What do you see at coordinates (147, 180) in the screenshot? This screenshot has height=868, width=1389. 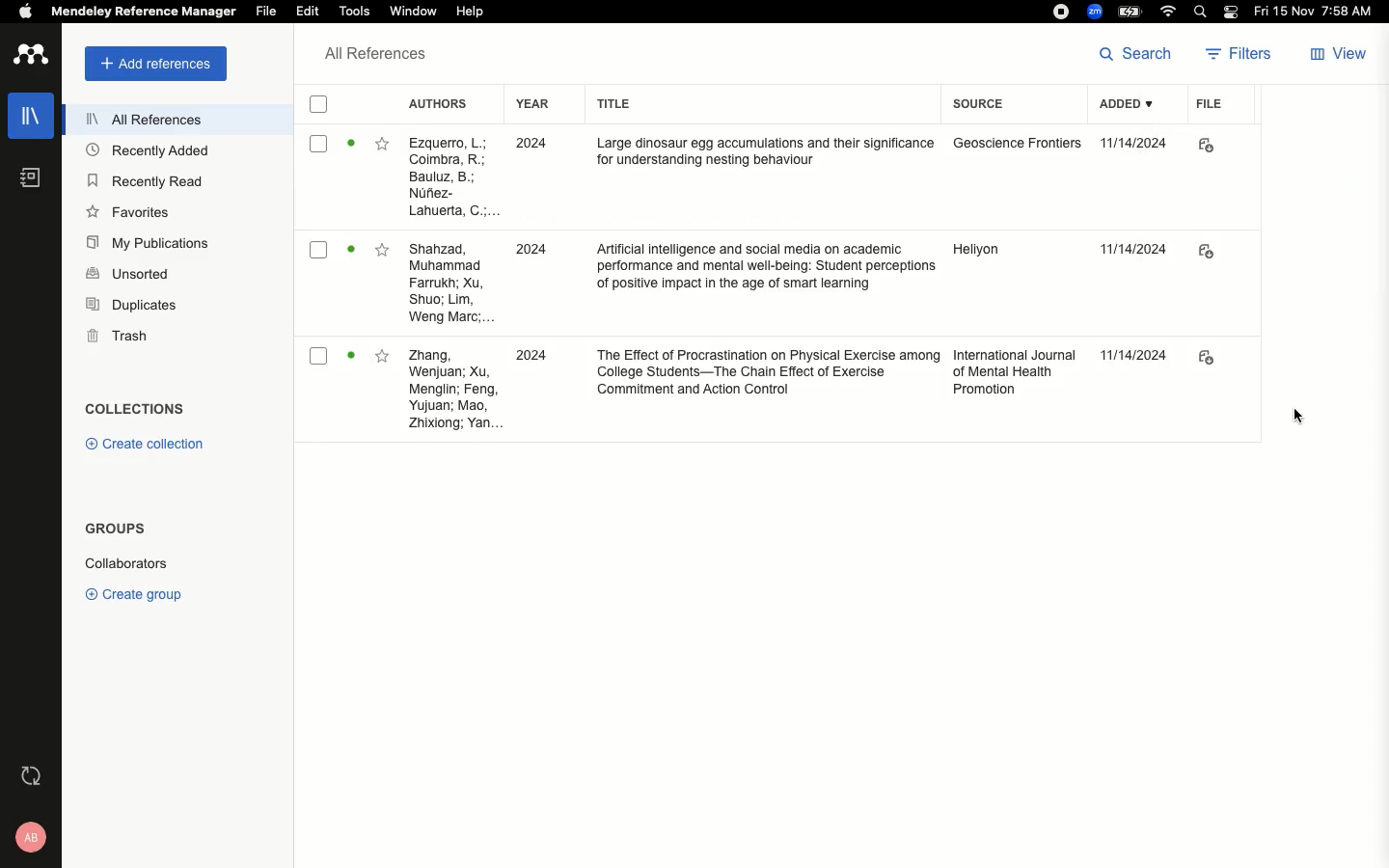 I see `Recently read` at bounding box center [147, 180].